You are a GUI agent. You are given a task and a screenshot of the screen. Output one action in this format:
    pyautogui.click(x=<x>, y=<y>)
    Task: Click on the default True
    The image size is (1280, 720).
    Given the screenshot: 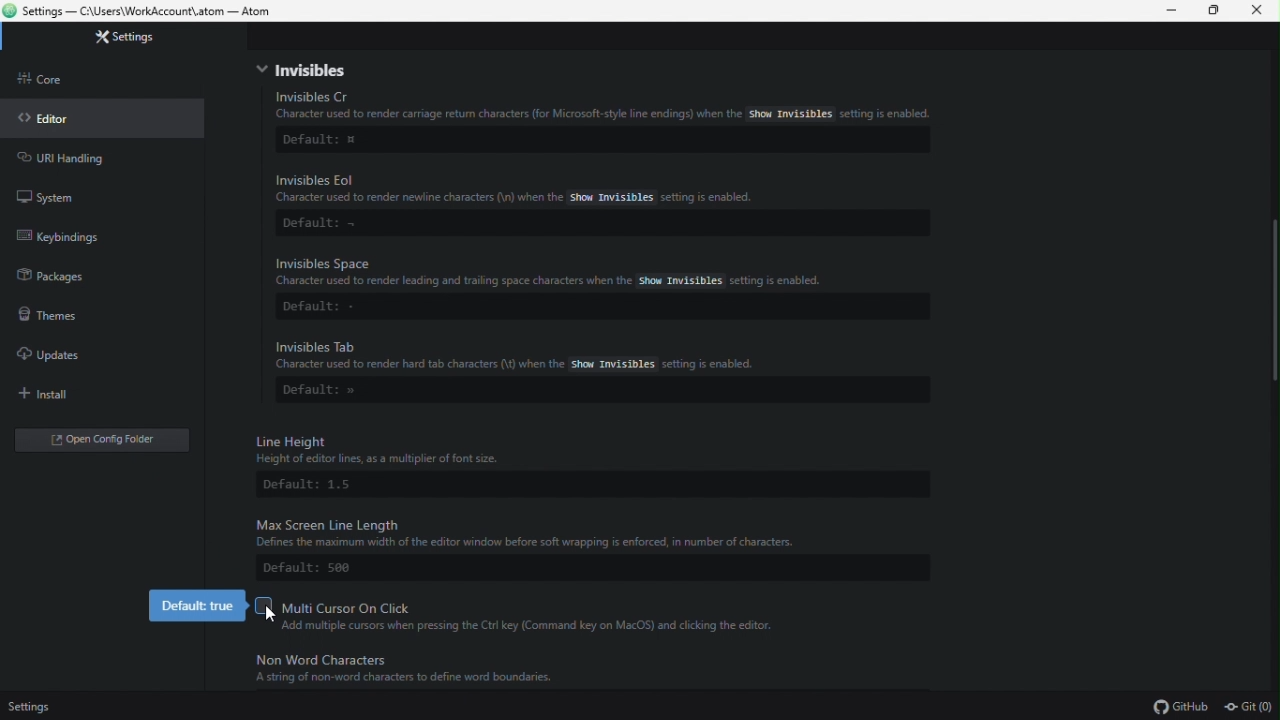 What is the action you would take?
    pyautogui.click(x=196, y=603)
    